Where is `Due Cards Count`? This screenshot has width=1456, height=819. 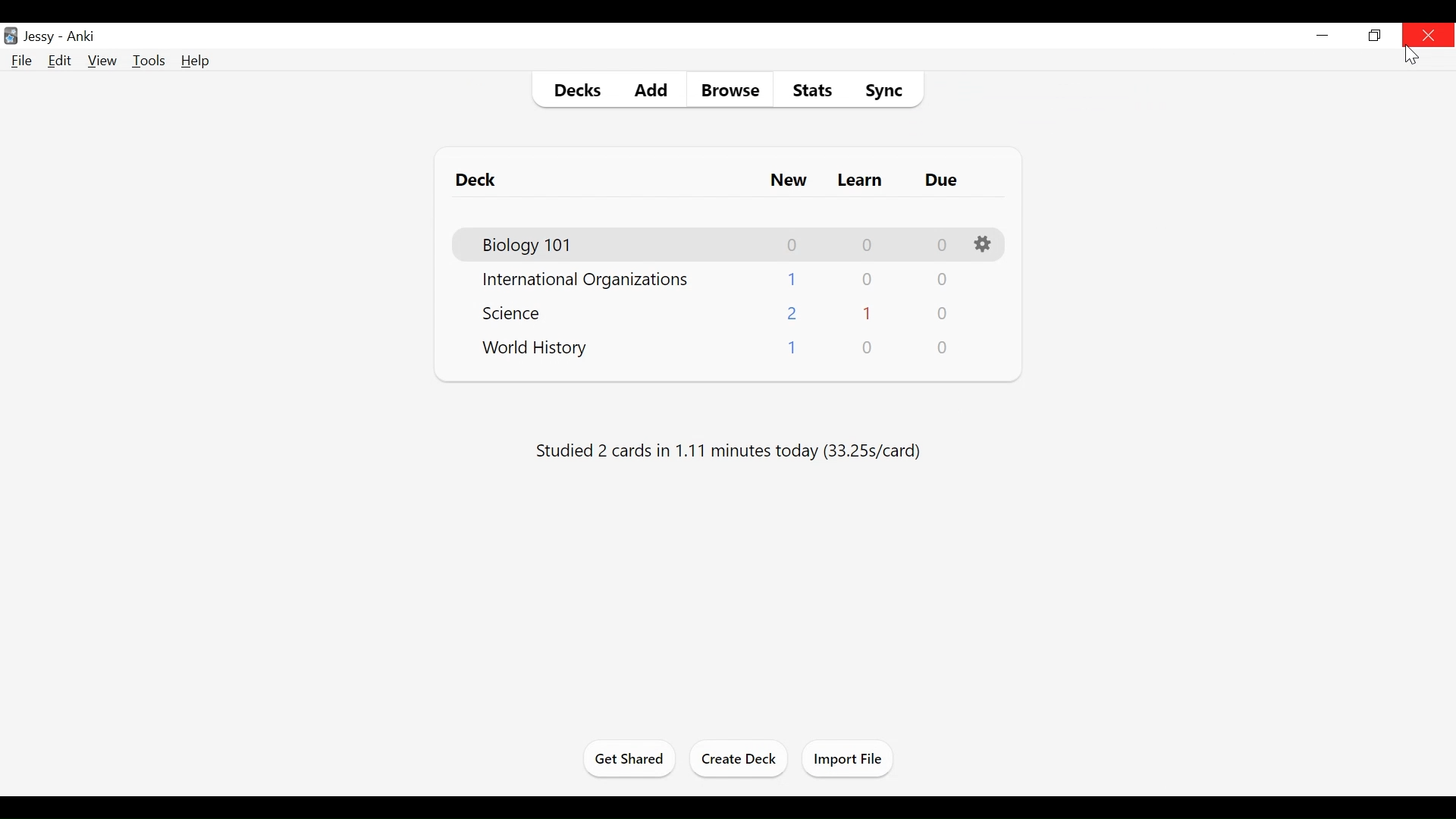 Due Cards Count is located at coordinates (941, 347).